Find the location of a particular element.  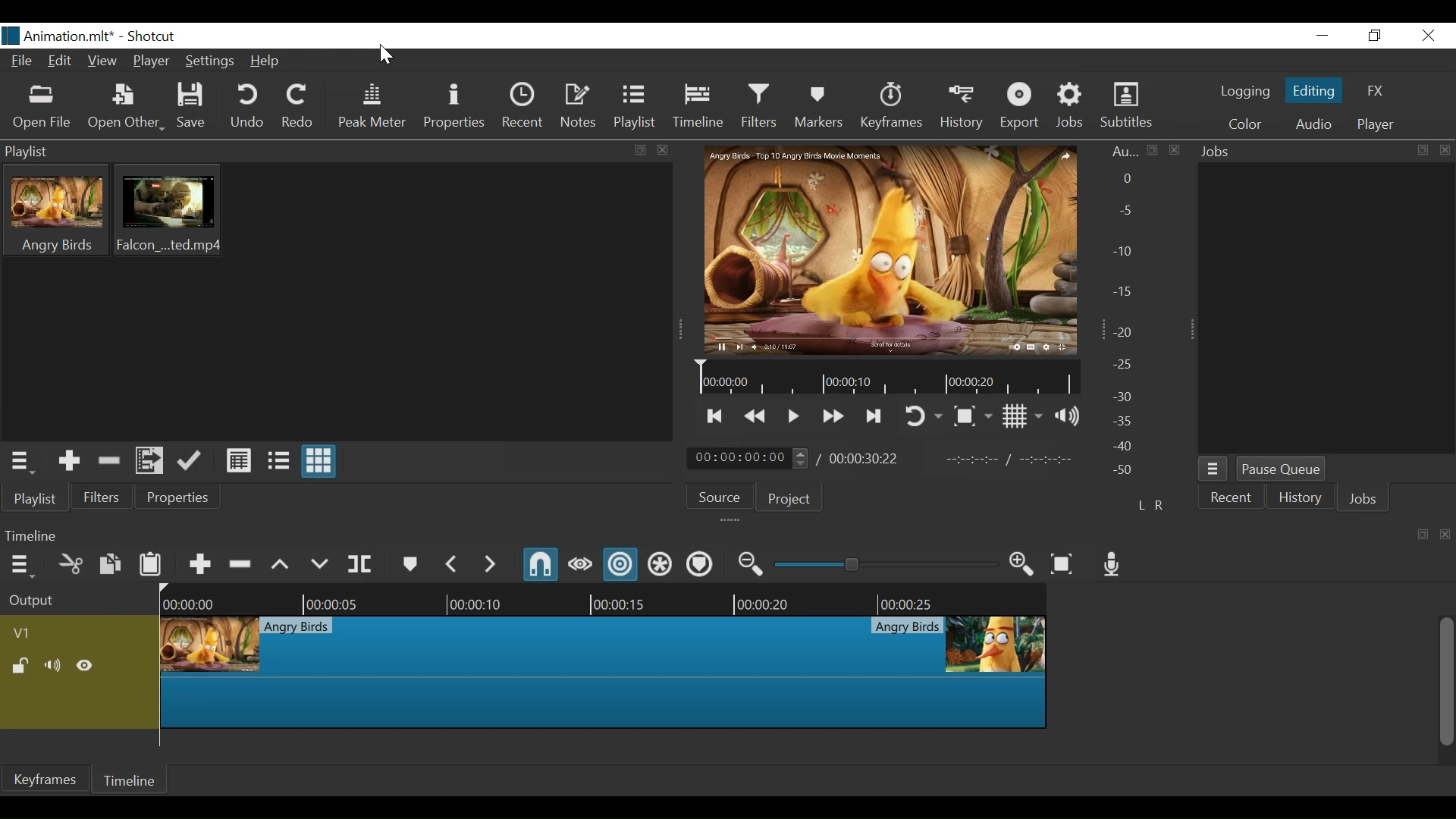

View as File is located at coordinates (278, 462).